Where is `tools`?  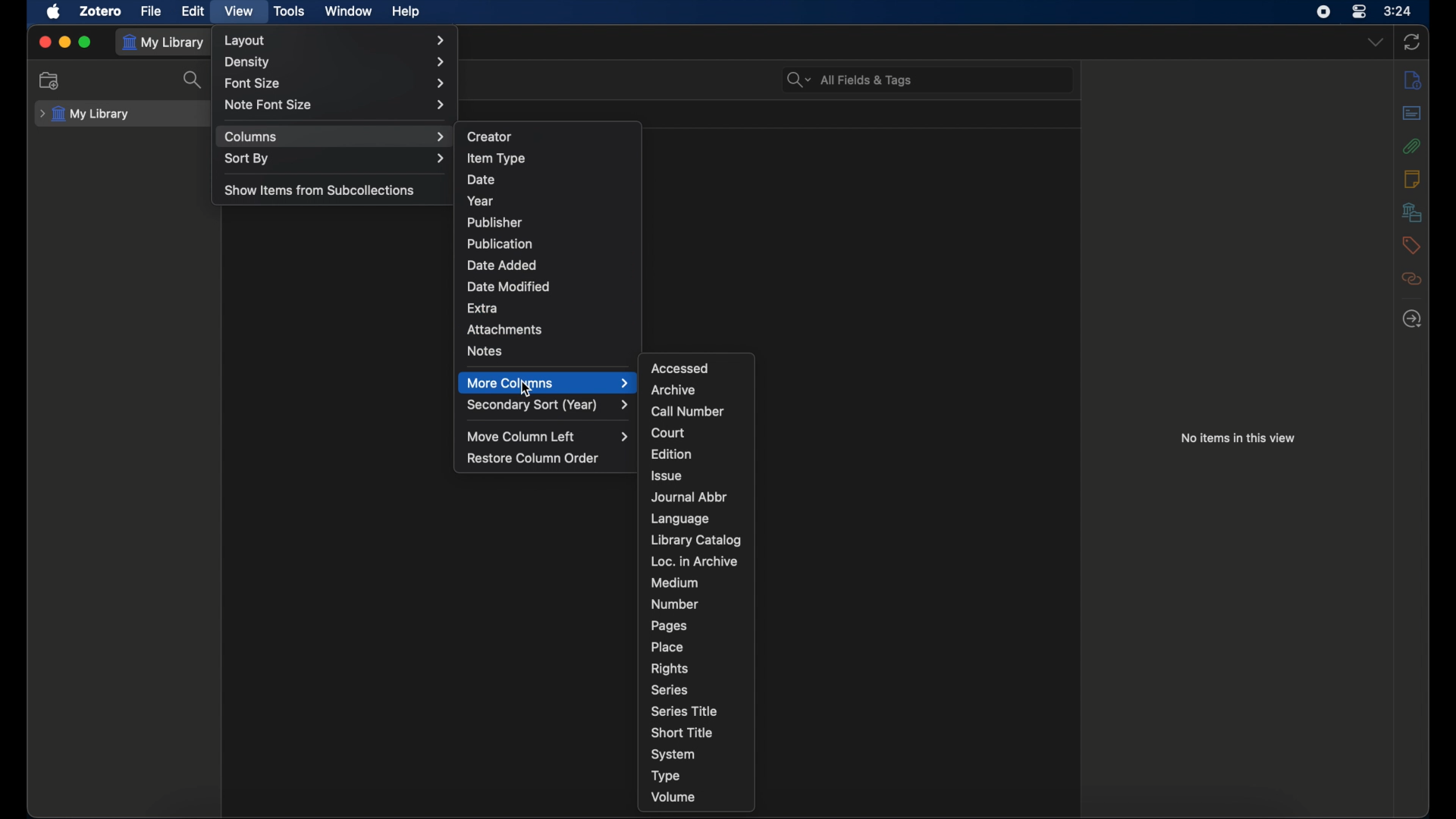
tools is located at coordinates (290, 11).